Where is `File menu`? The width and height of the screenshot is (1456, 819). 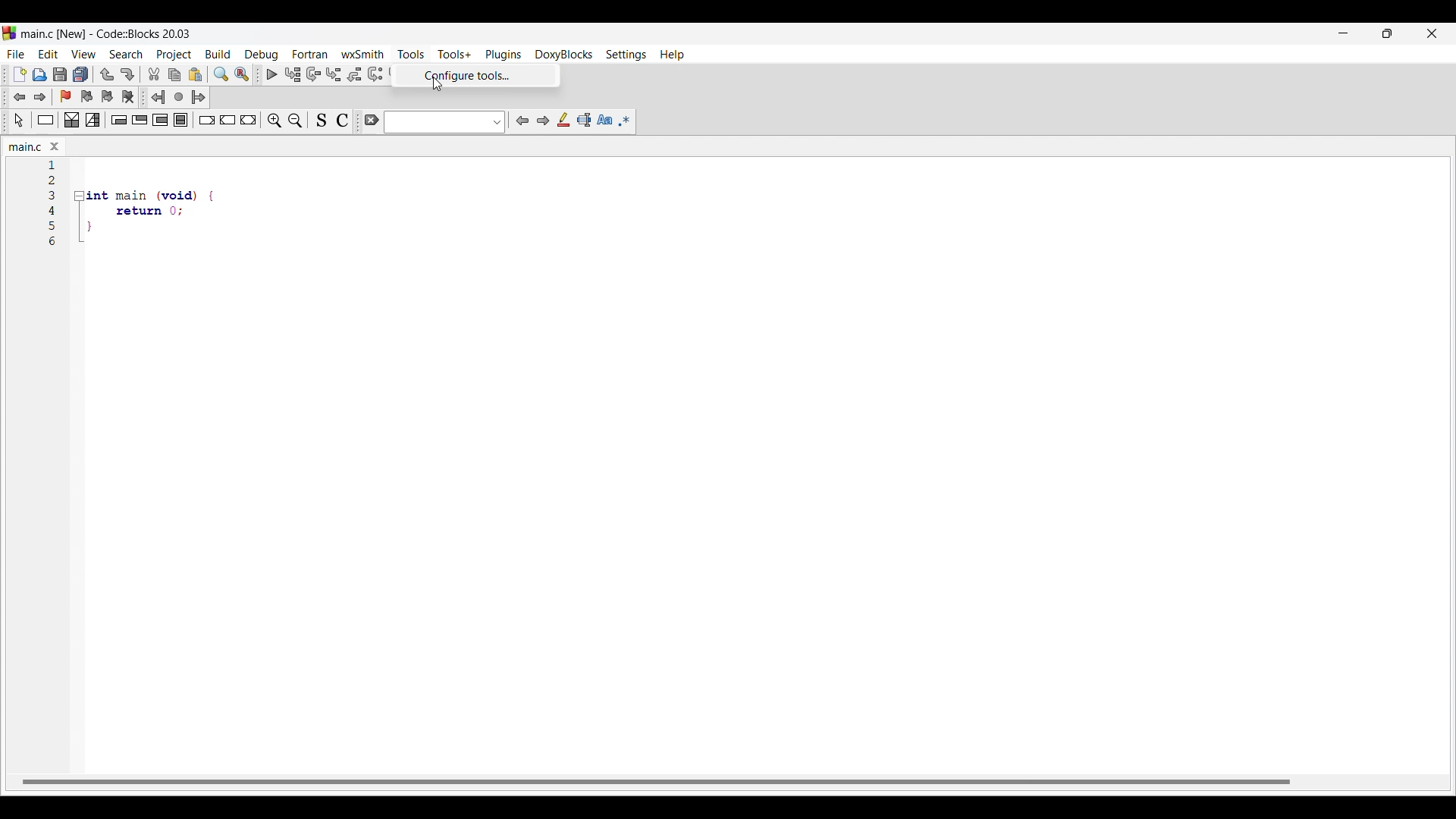 File menu is located at coordinates (16, 55).